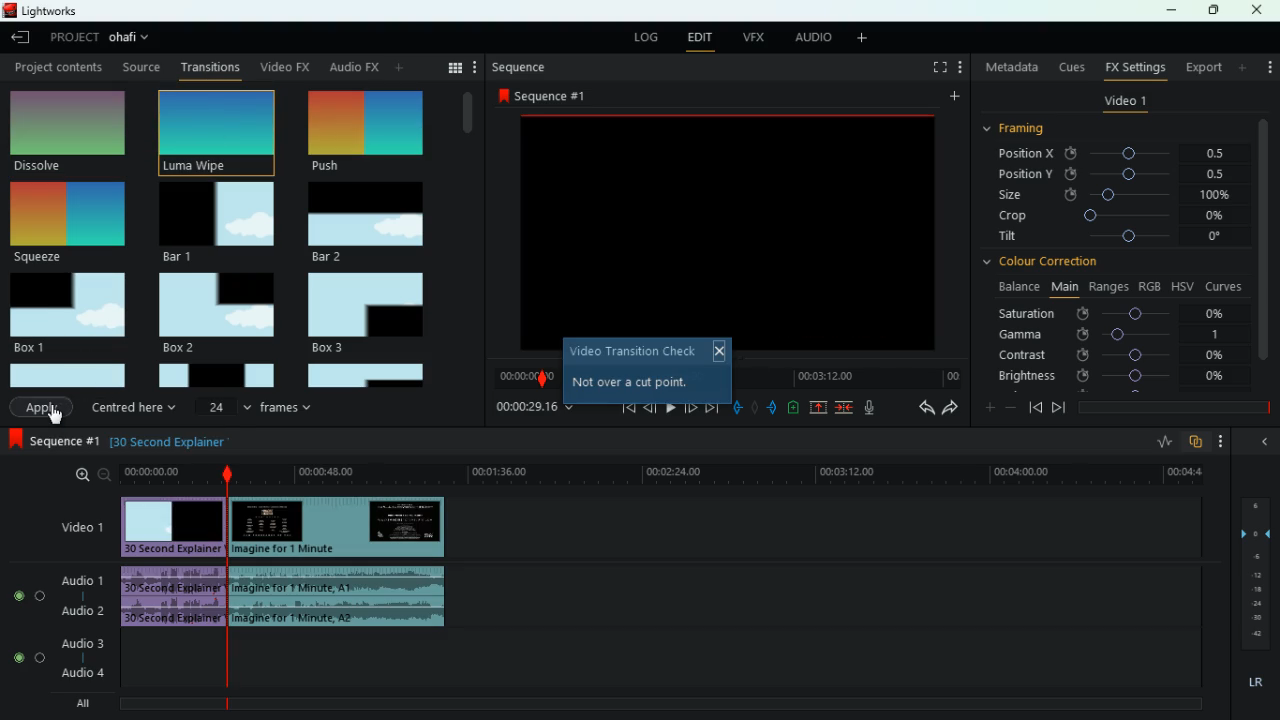 The image size is (1280, 720). What do you see at coordinates (720, 351) in the screenshot?
I see `close` at bounding box center [720, 351].